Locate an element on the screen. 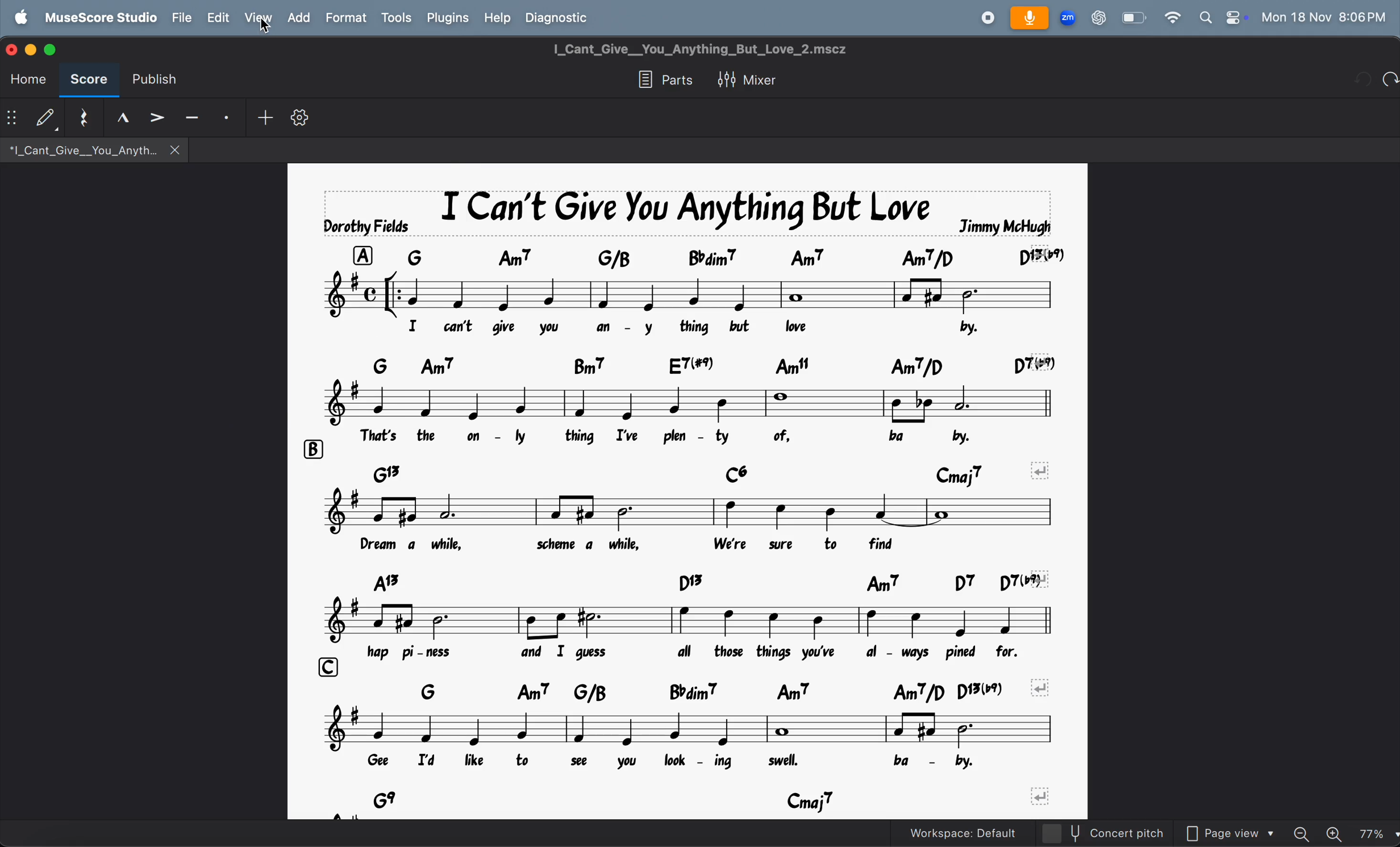 The height and width of the screenshot is (847, 1400). format is located at coordinates (346, 18).